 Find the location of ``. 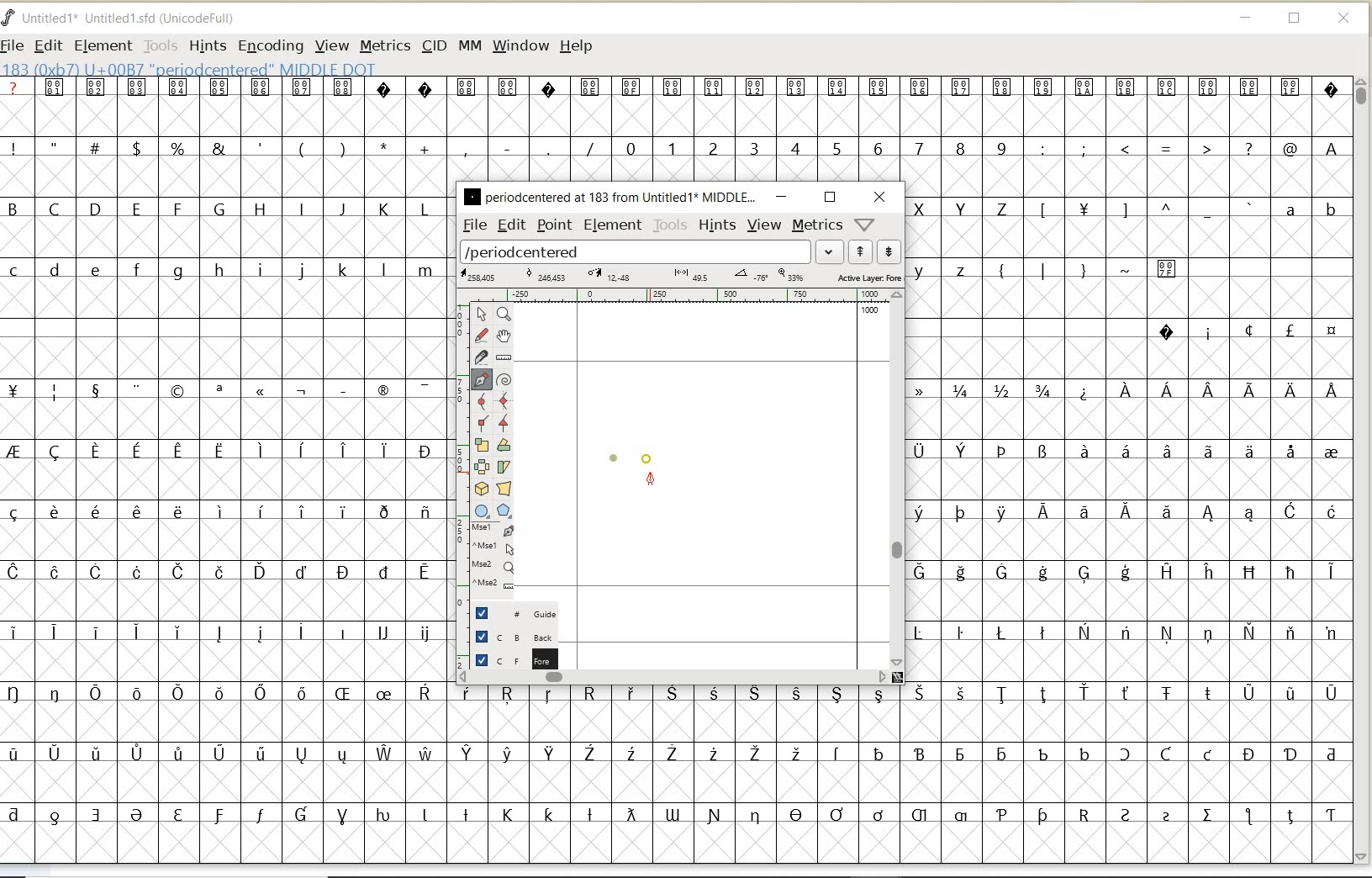

 is located at coordinates (1143, 211).